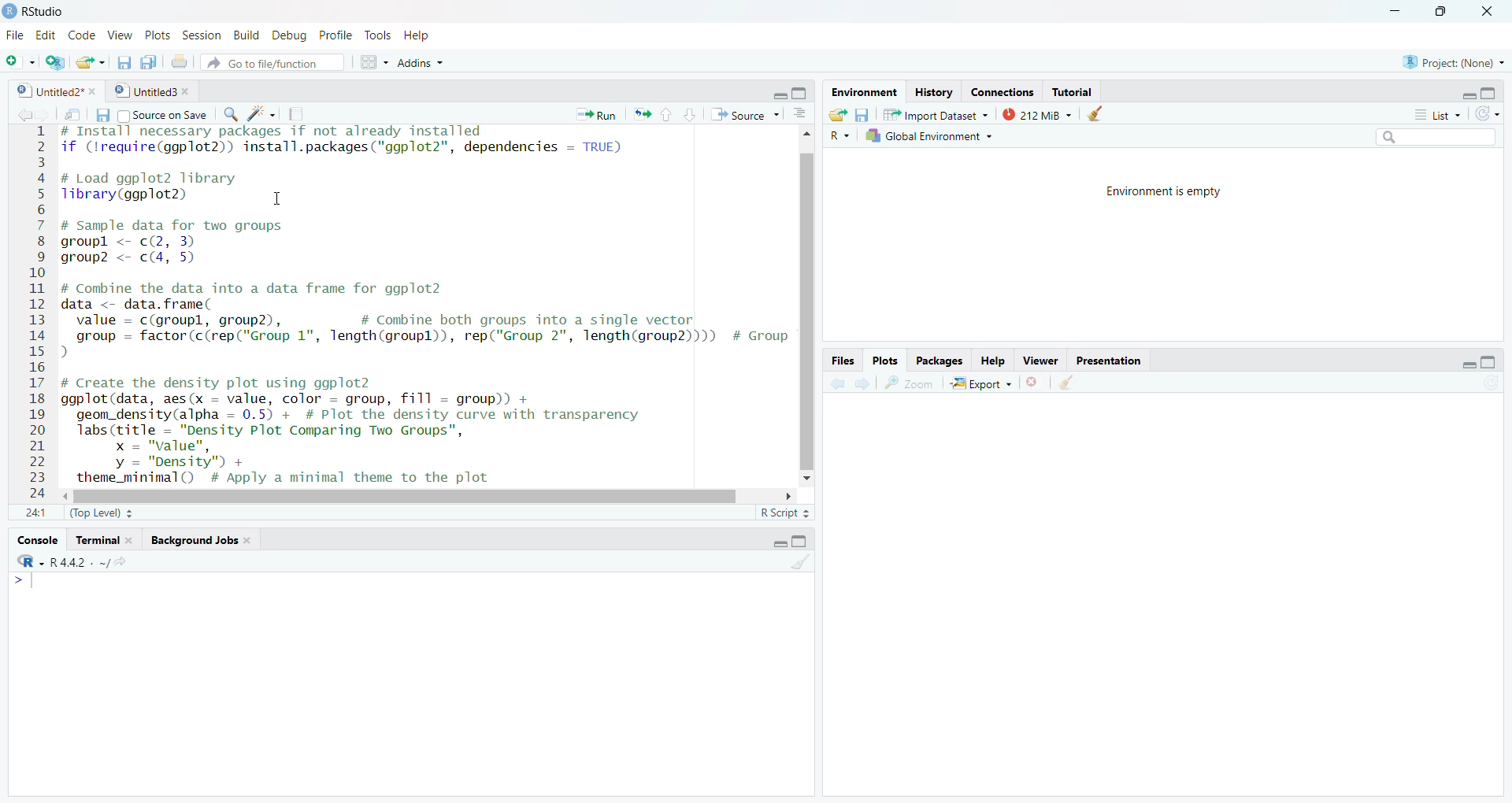  What do you see at coordinates (369, 61) in the screenshot?
I see `` at bounding box center [369, 61].